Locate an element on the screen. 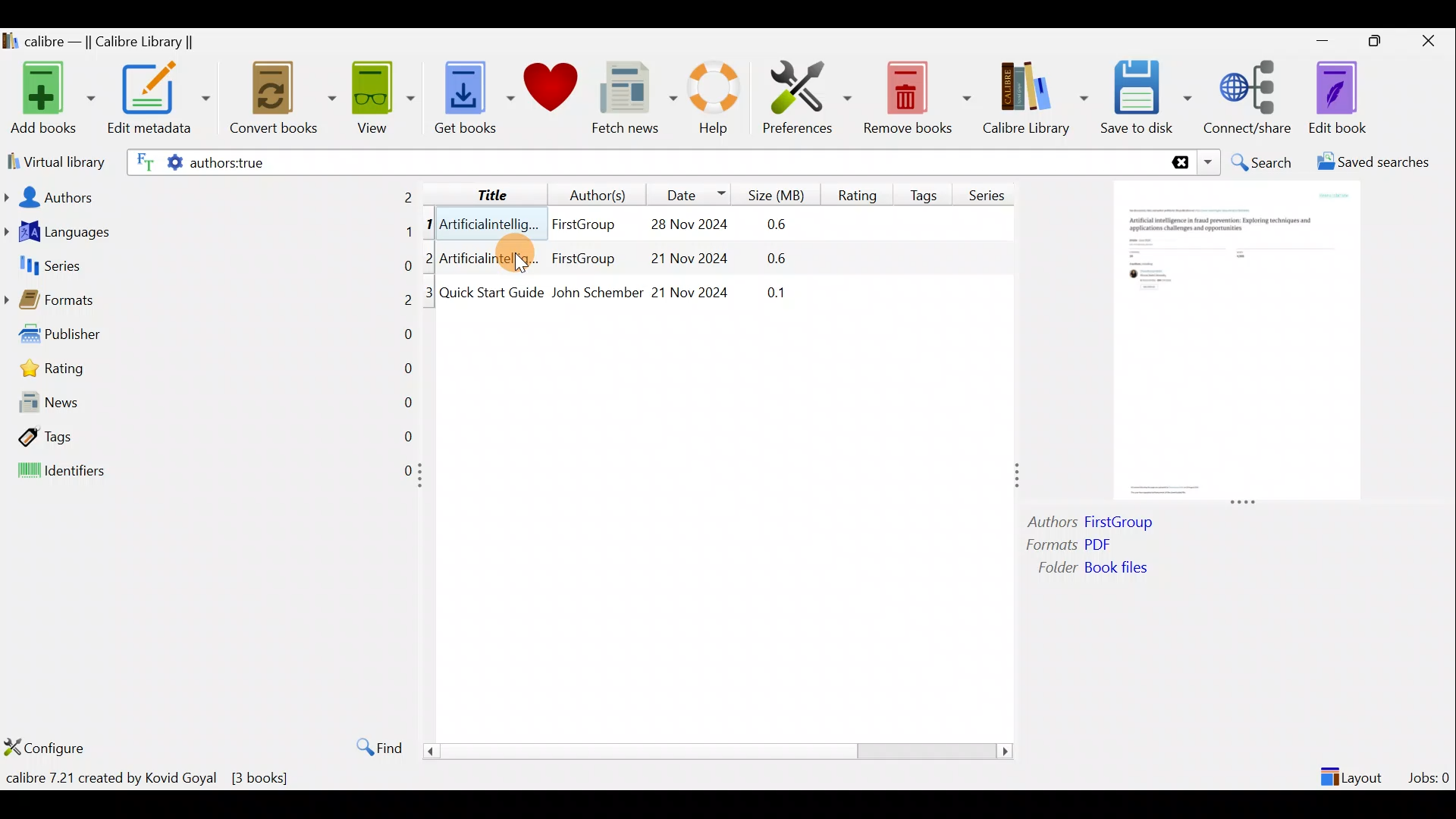 Image resolution: width=1456 pixels, height=819 pixels. Maximize is located at coordinates (1382, 42).